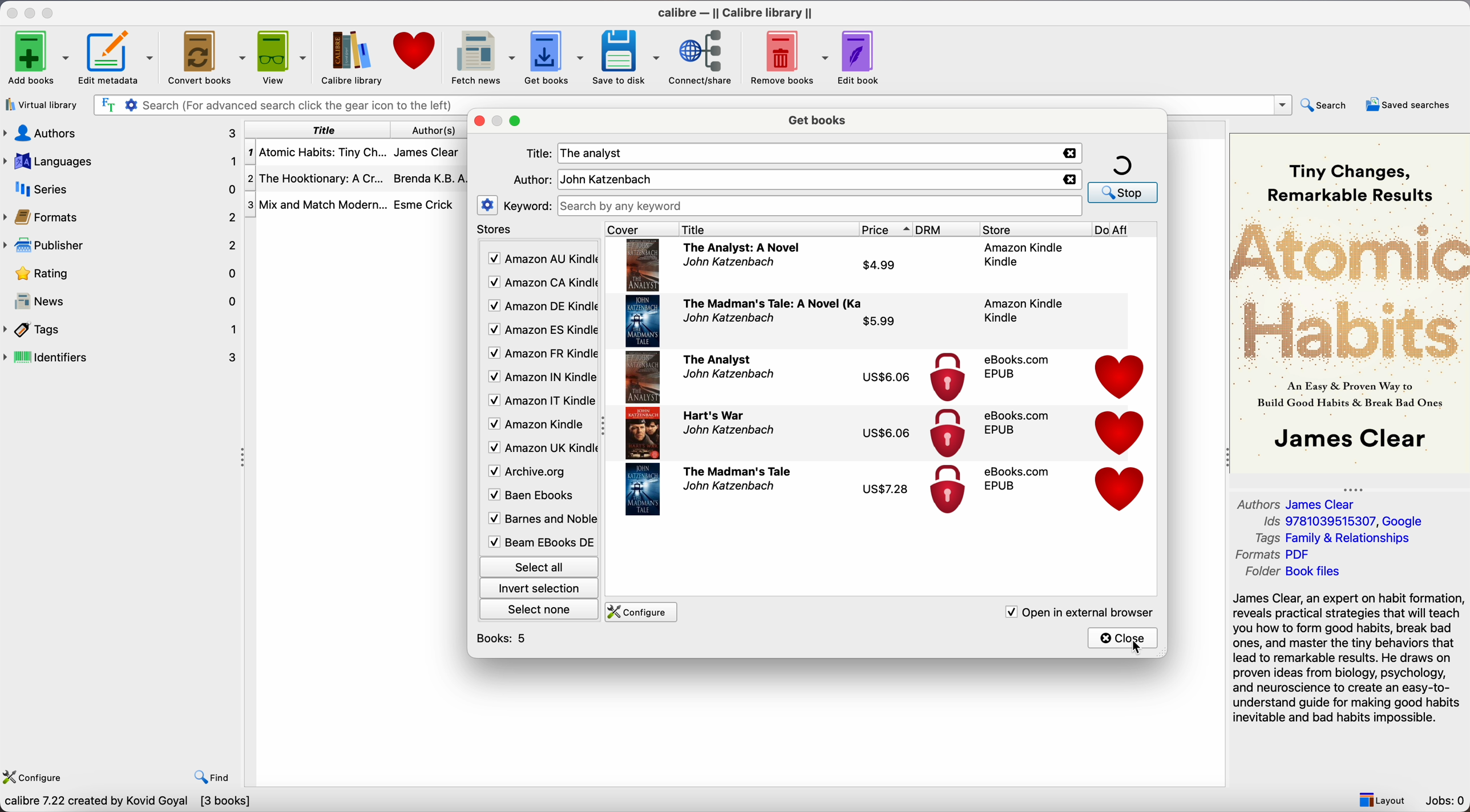 This screenshot has height=812, width=1470. What do you see at coordinates (1350, 658) in the screenshot?
I see `synopsis` at bounding box center [1350, 658].